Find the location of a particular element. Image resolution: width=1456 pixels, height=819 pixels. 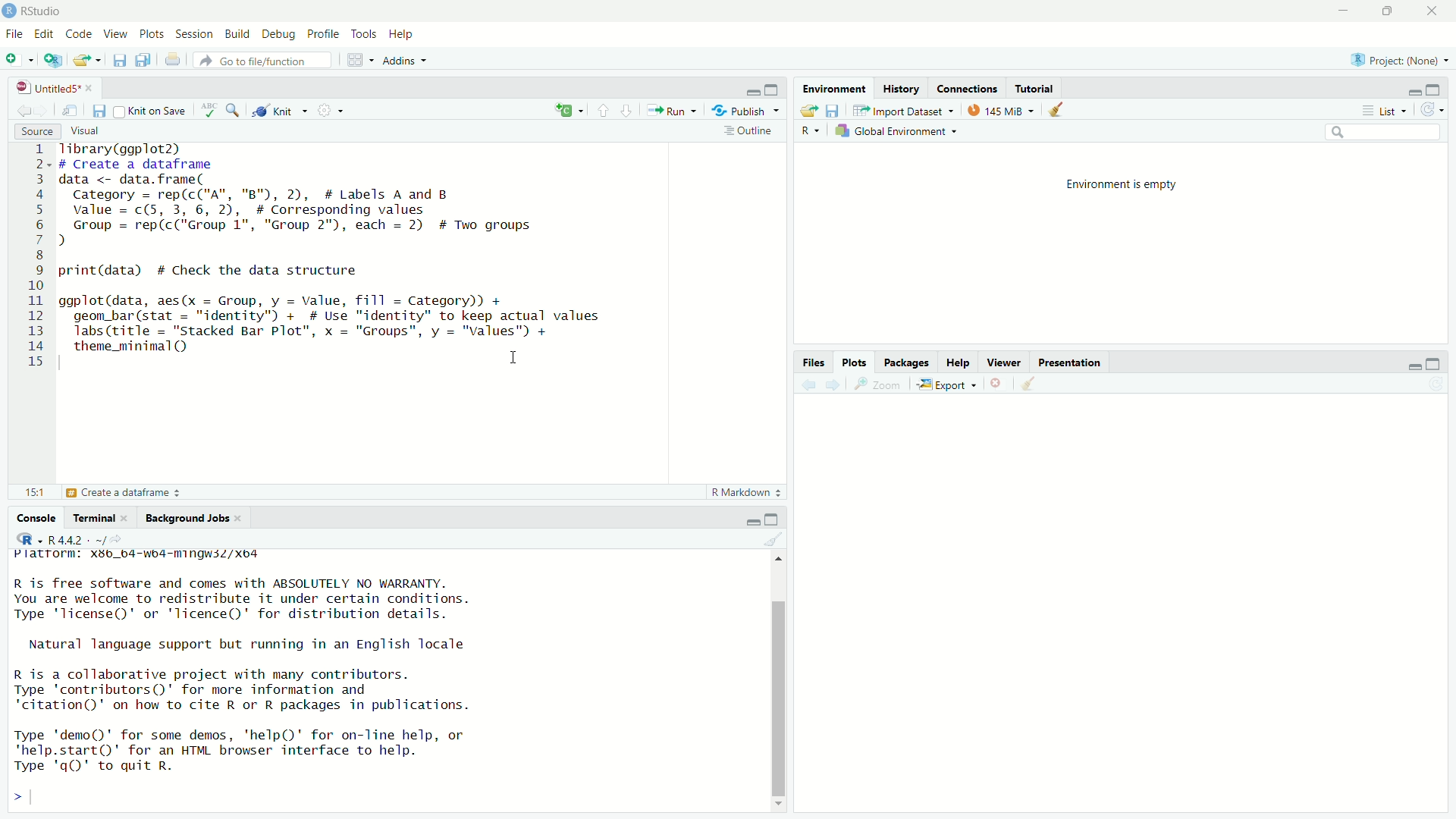

Go forward to the next source location (Ctrl + F10) is located at coordinates (831, 383).